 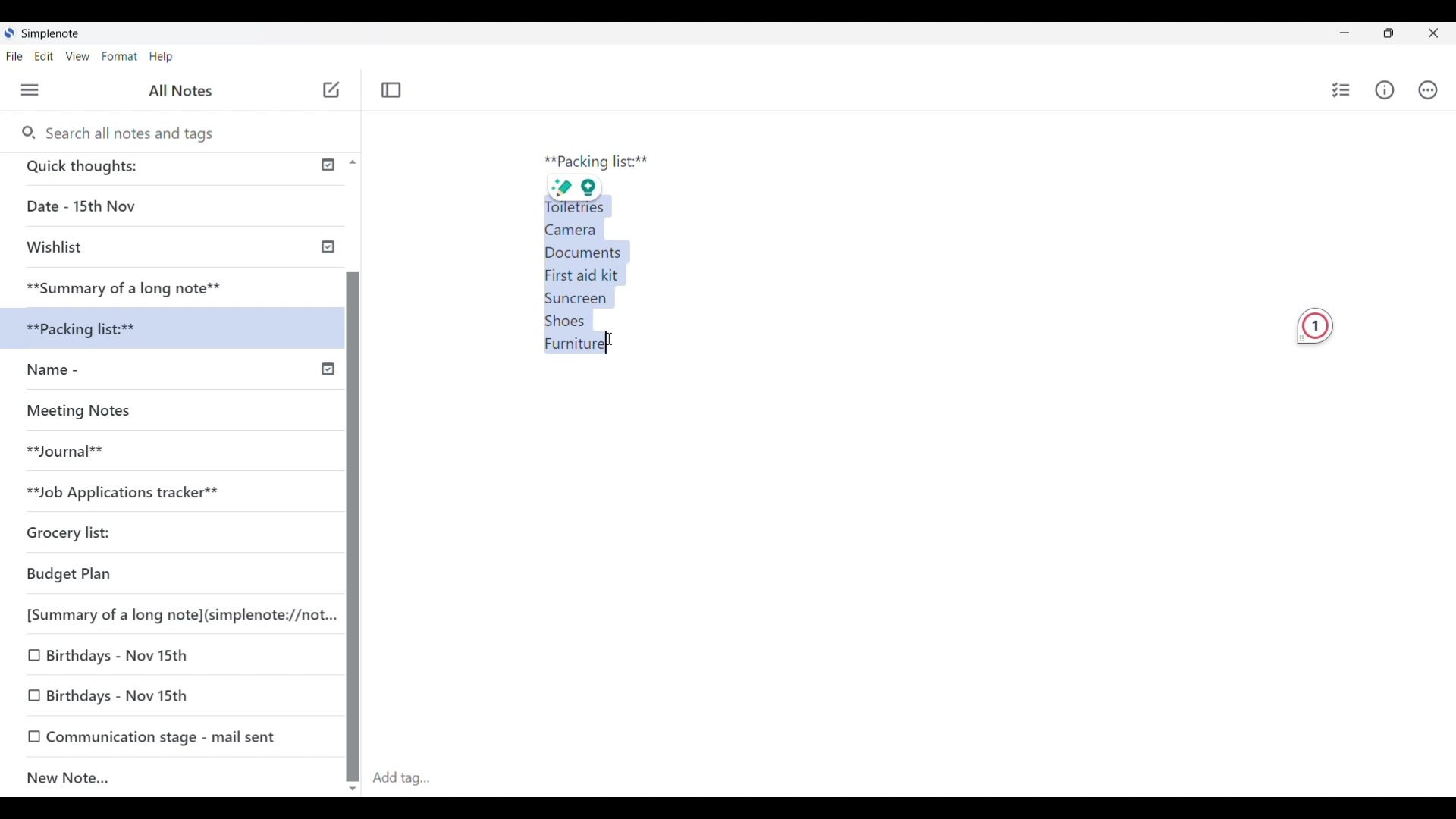 What do you see at coordinates (115, 654) in the screenshot?
I see `O Birthdays - Nov 15th` at bounding box center [115, 654].